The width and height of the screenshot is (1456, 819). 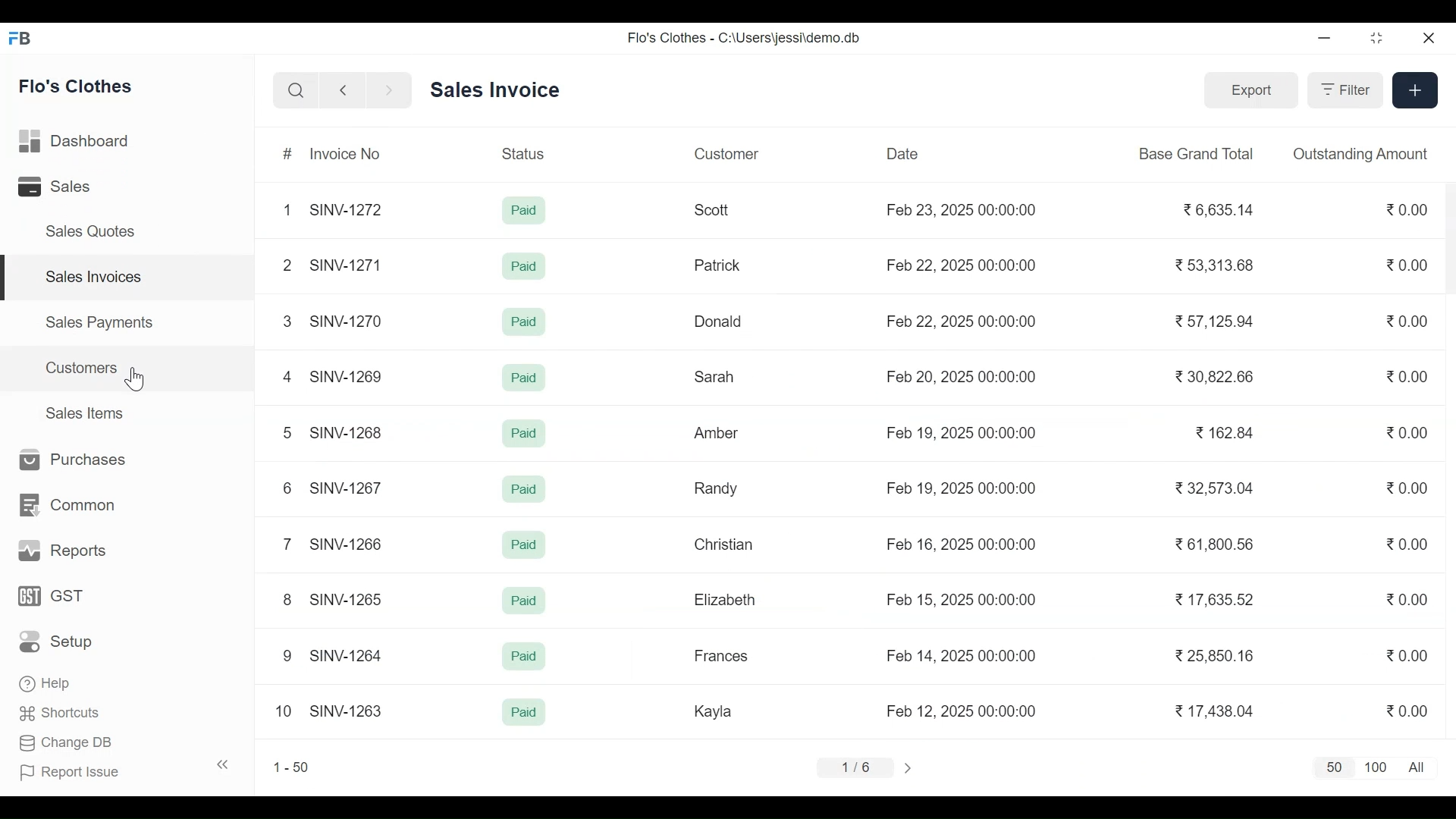 I want to click on Status, so click(x=526, y=153).